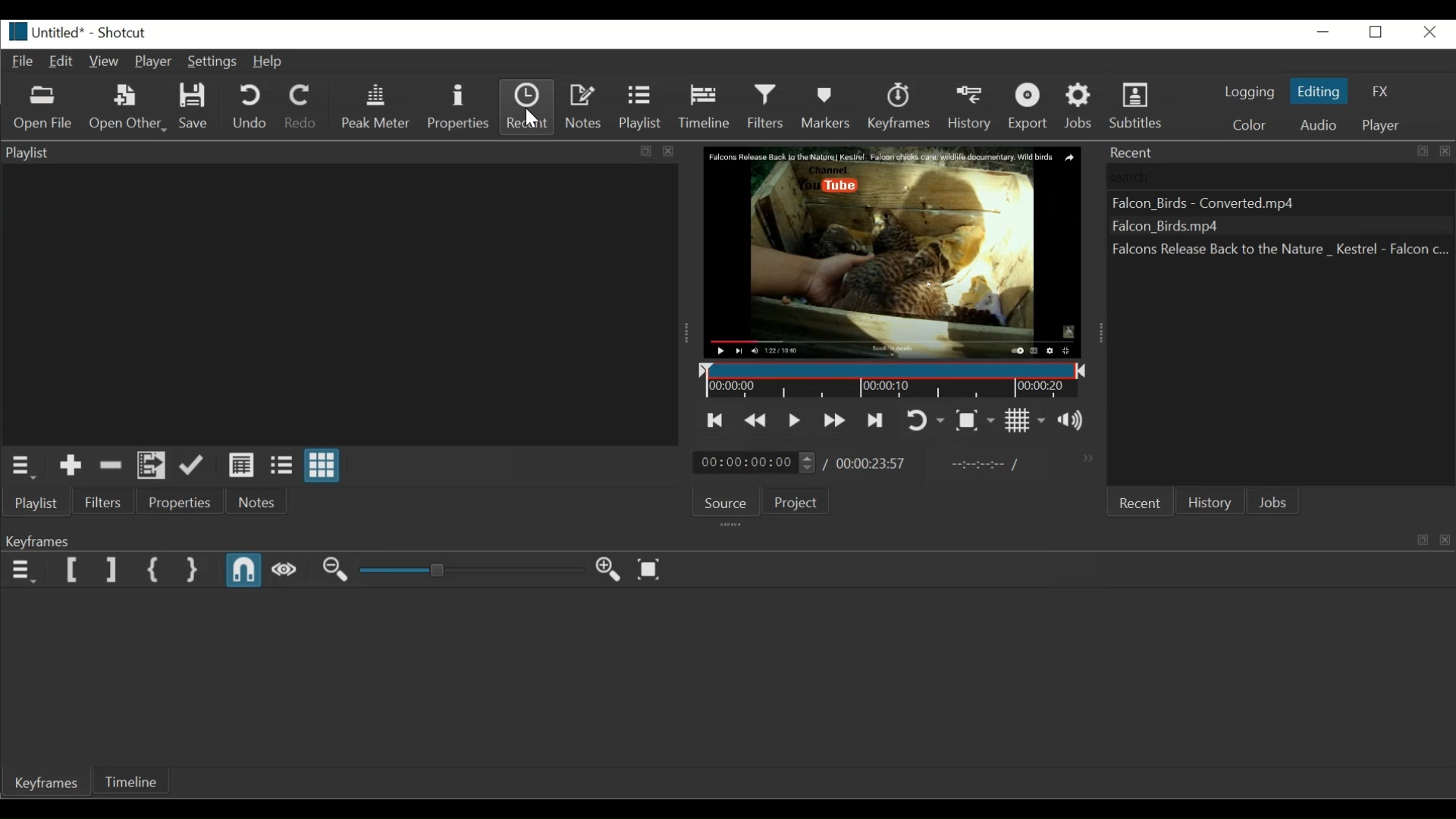 Image resolution: width=1456 pixels, height=819 pixels. Describe the element at coordinates (215, 63) in the screenshot. I see `Settings` at that location.